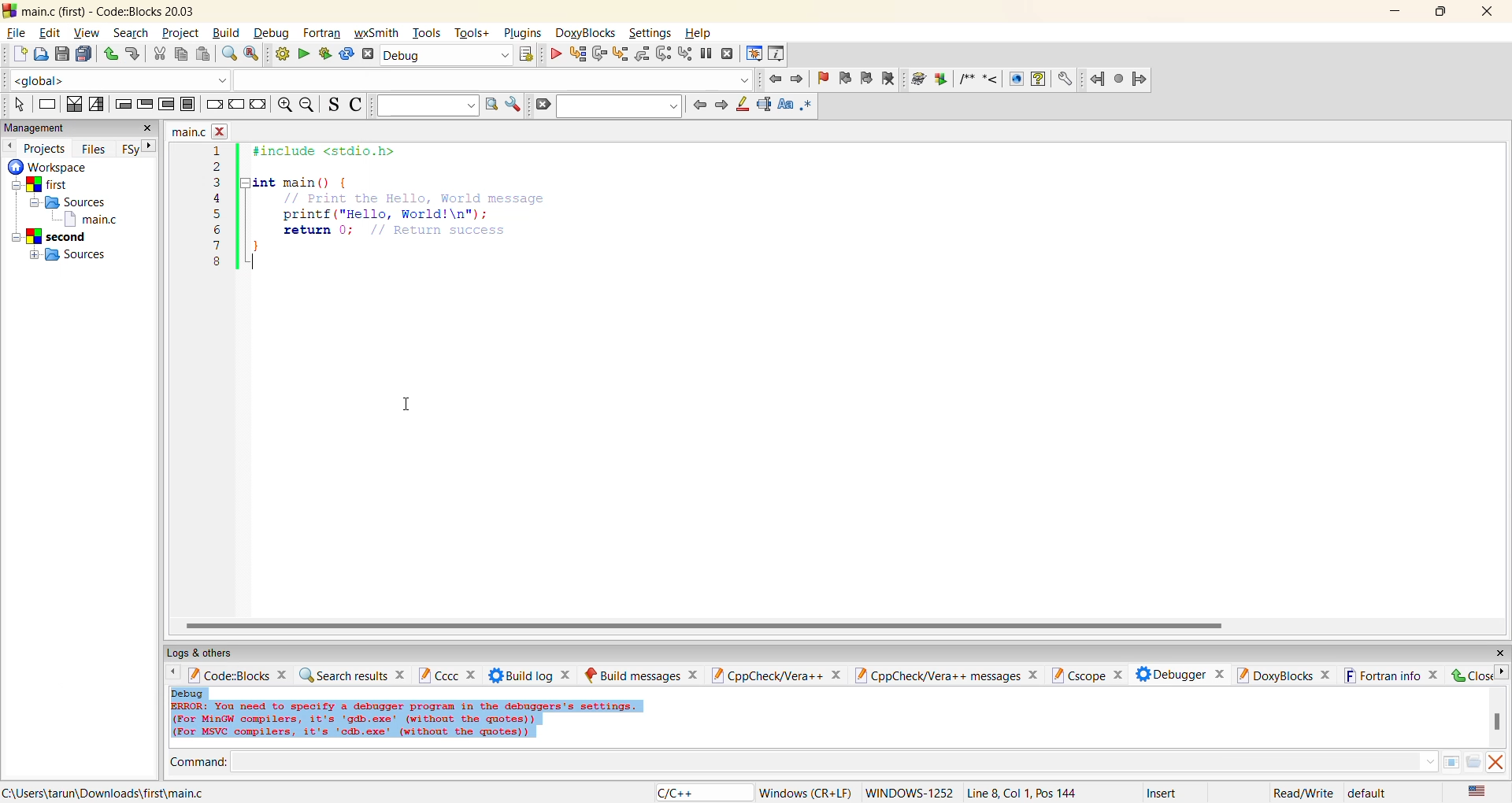 The image size is (1512, 803). I want to click on first, so click(46, 184).